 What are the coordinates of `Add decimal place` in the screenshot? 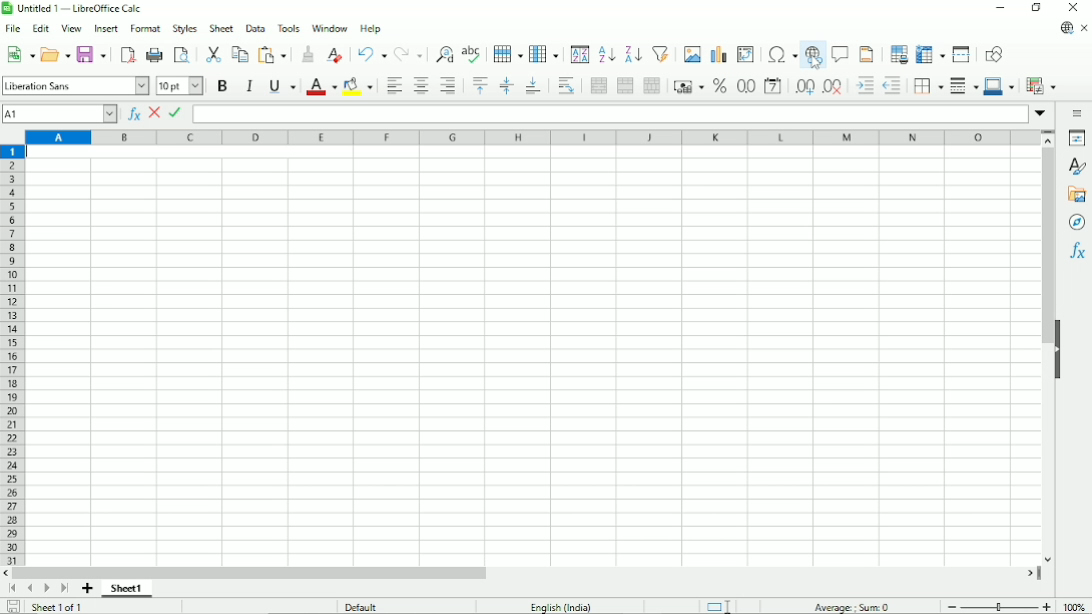 It's located at (804, 86).